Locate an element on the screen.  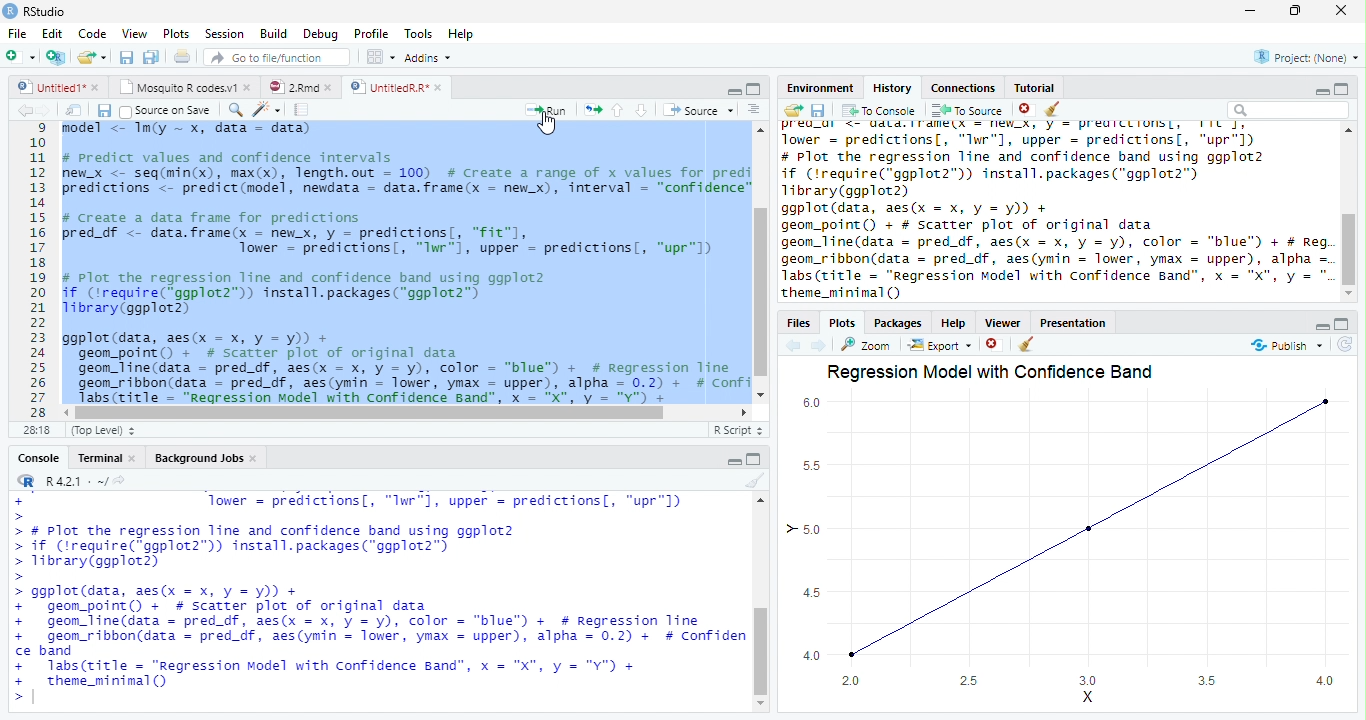
Minimize is located at coordinates (734, 462).